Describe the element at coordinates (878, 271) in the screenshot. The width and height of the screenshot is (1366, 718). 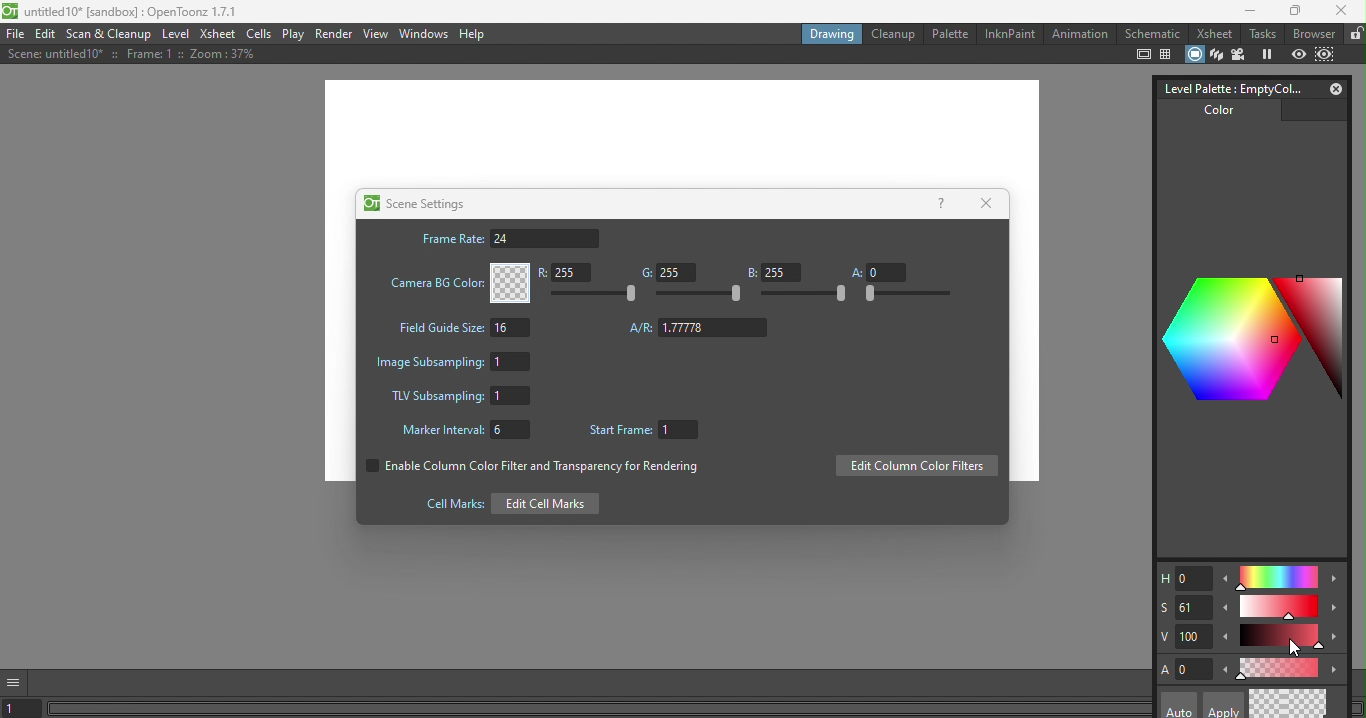
I see `A` at that location.